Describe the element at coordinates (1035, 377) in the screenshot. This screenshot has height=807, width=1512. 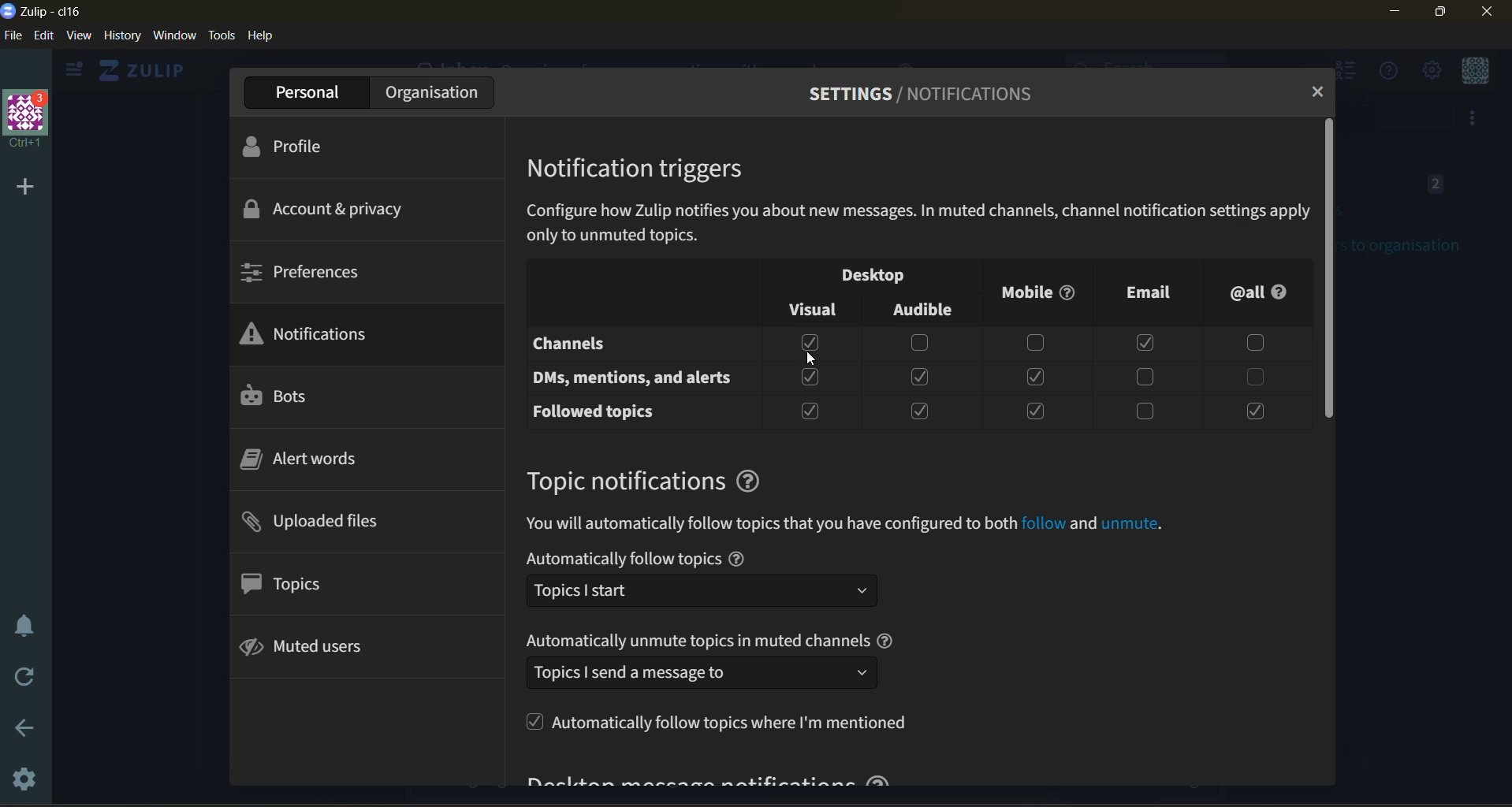
I see `checkbox` at that location.